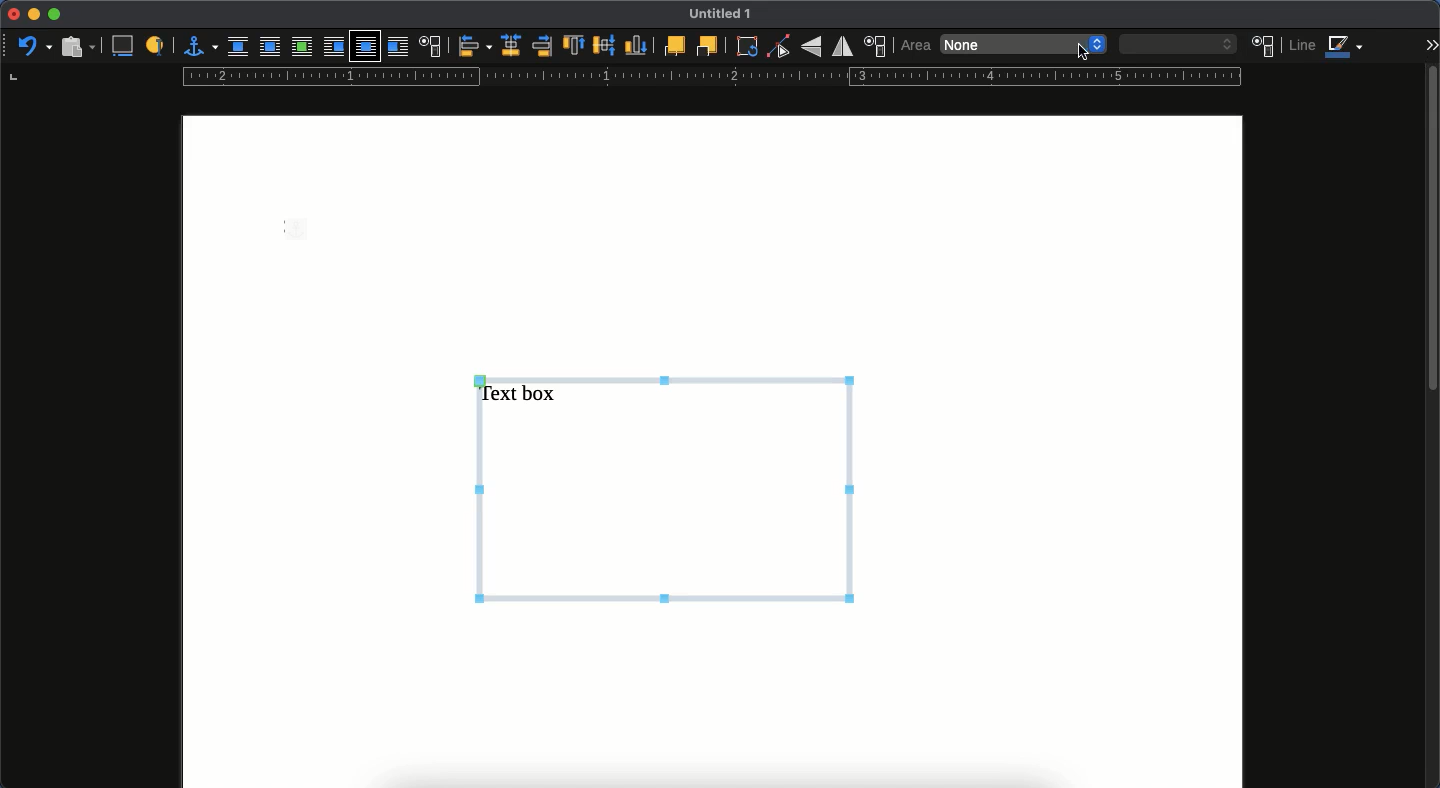 The height and width of the screenshot is (788, 1440). Describe the element at coordinates (126, 45) in the screenshot. I see `insert caption` at that location.